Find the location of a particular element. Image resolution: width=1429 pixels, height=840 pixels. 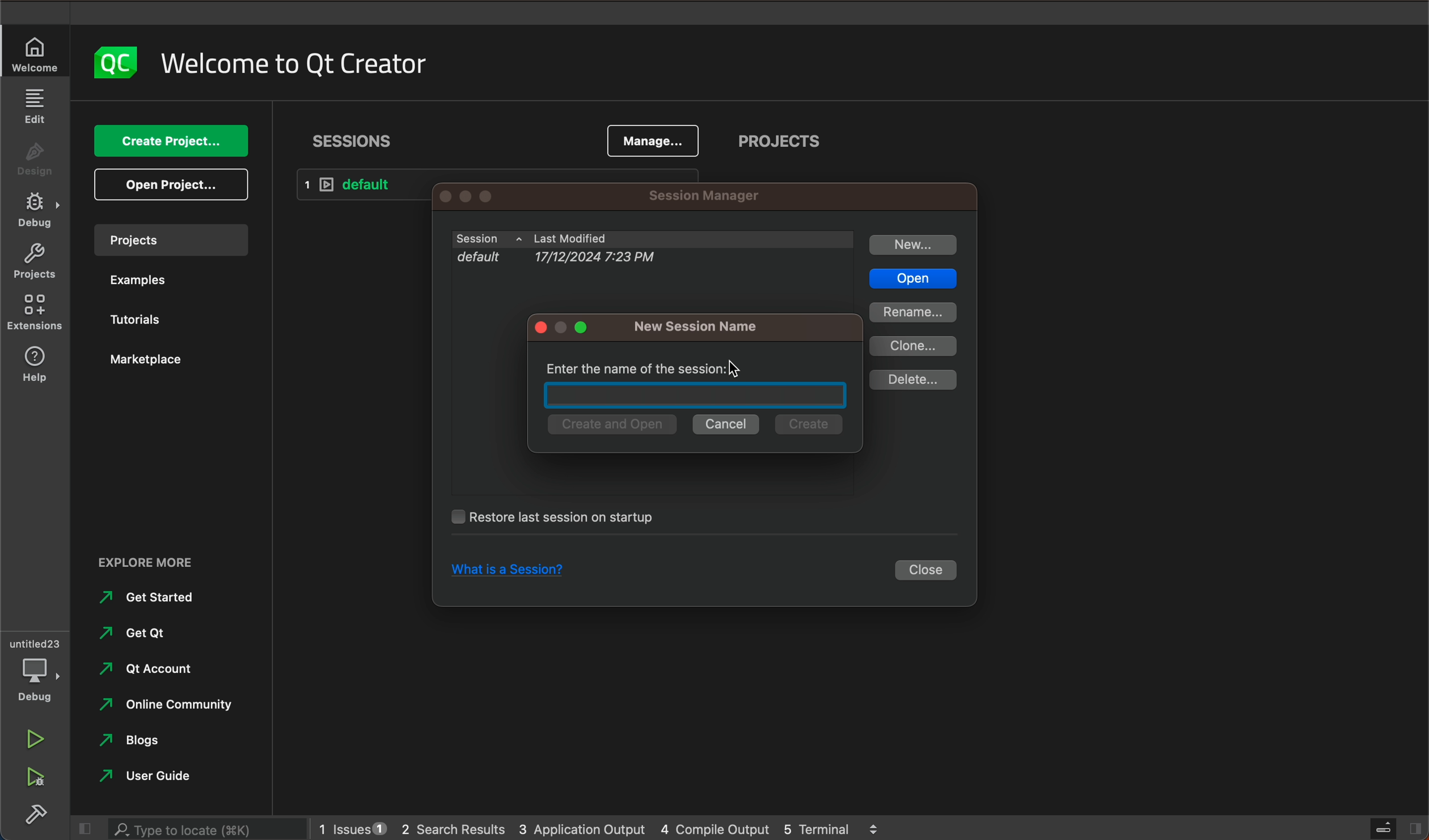

new session name is located at coordinates (700, 326).